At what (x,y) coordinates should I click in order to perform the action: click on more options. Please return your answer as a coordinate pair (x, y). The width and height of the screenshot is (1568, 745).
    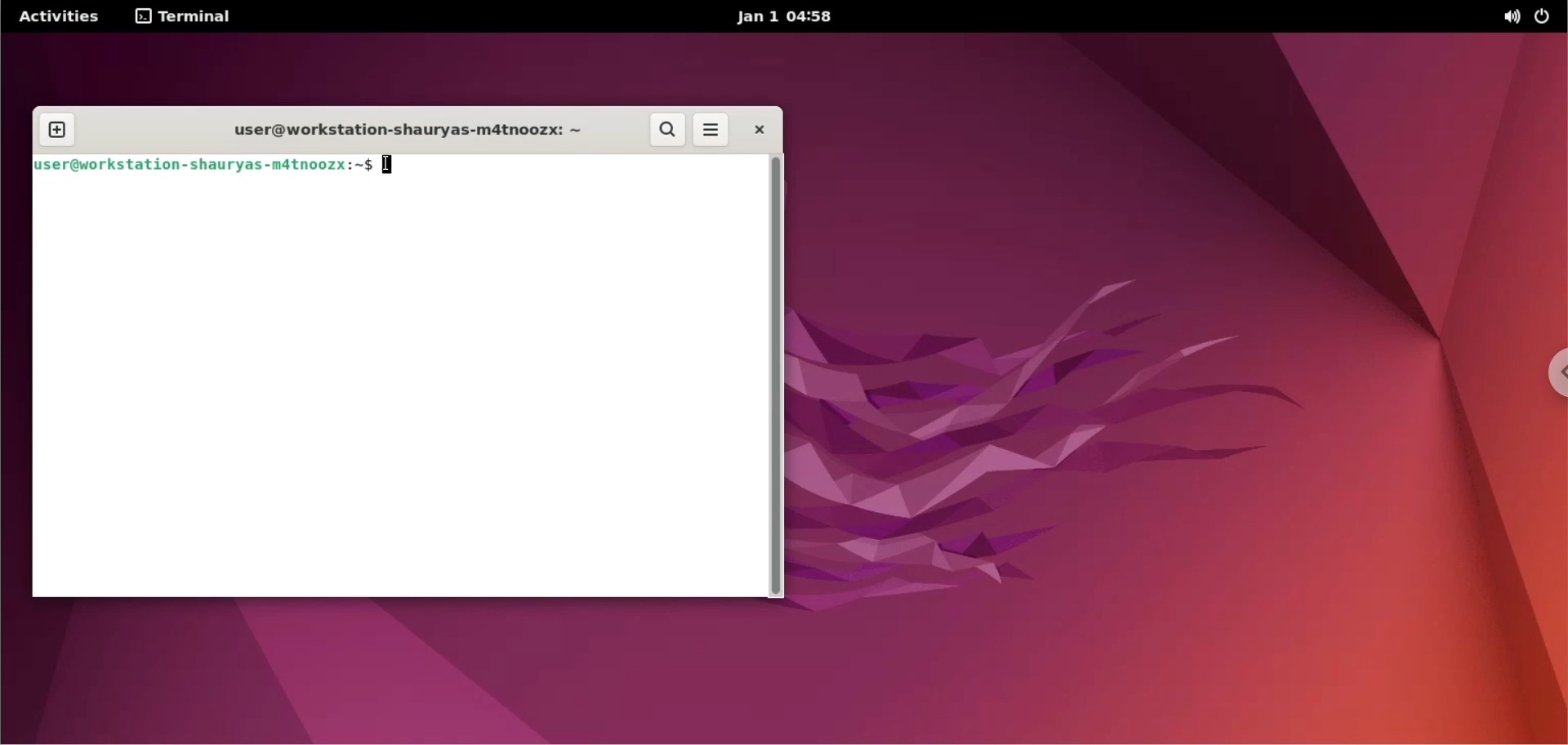
    Looking at the image, I should click on (712, 131).